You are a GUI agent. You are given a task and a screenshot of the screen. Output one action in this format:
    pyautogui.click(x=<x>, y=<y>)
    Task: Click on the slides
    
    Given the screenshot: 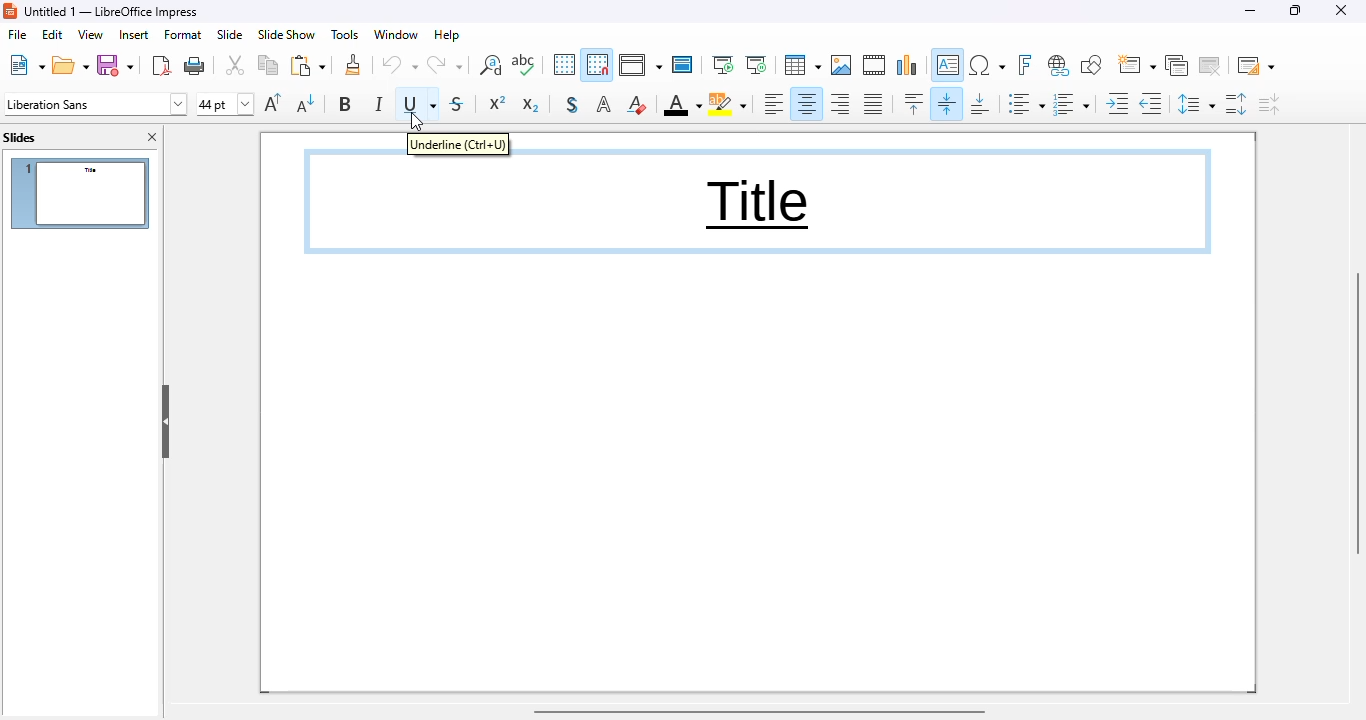 What is the action you would take?
    pyautogui.click(x=20, y=138)
    